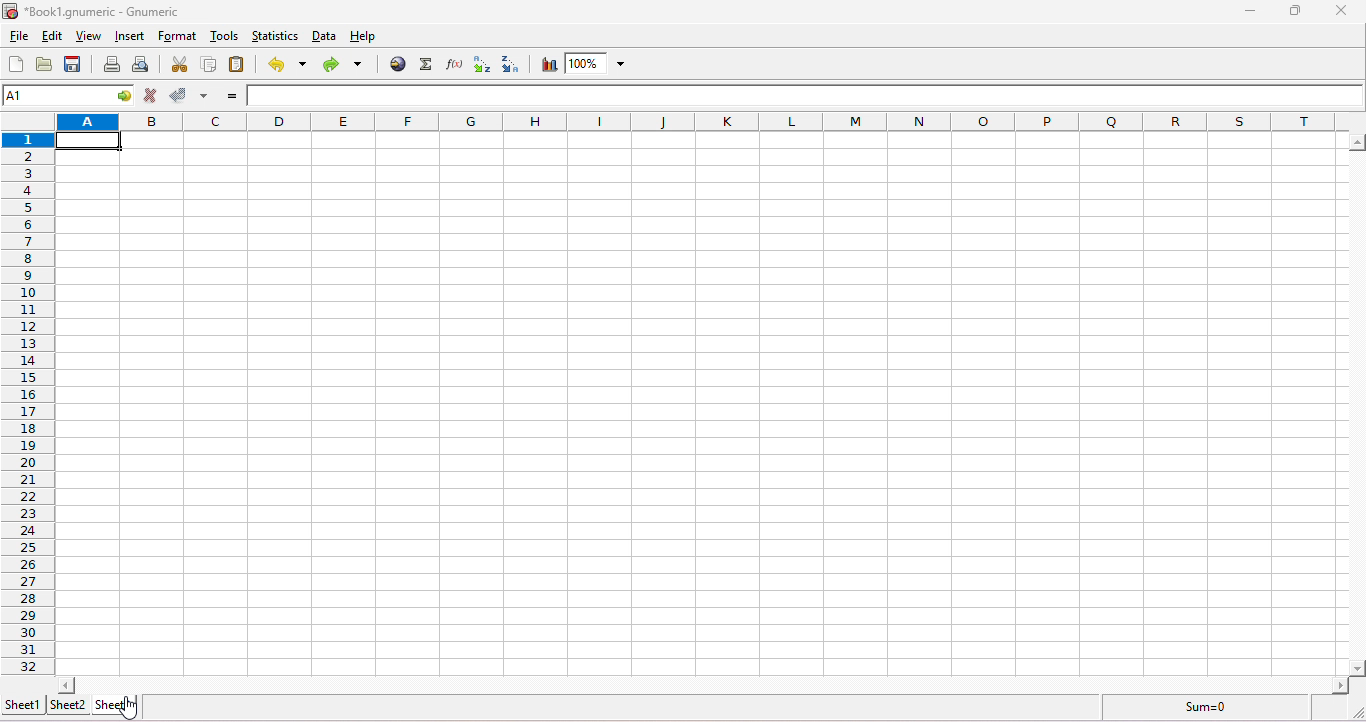 This screenshot has width=1366, height=722. Describe the element at coordinates (99, 12) in the screenshot. I see `*Book1.gnumeric - numeric` at that location.